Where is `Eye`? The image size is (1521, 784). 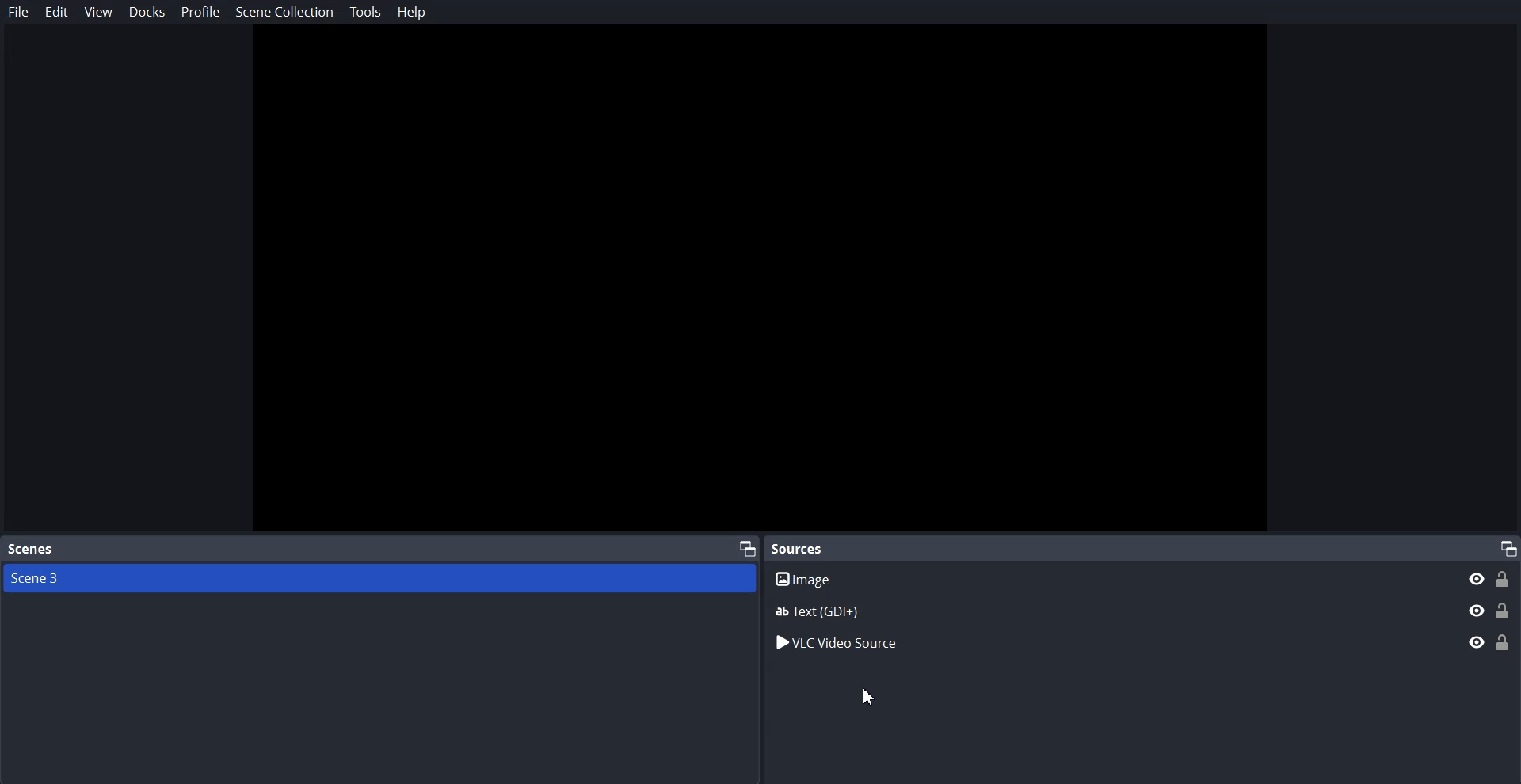
Eye is located at coordinates (1477, 641).